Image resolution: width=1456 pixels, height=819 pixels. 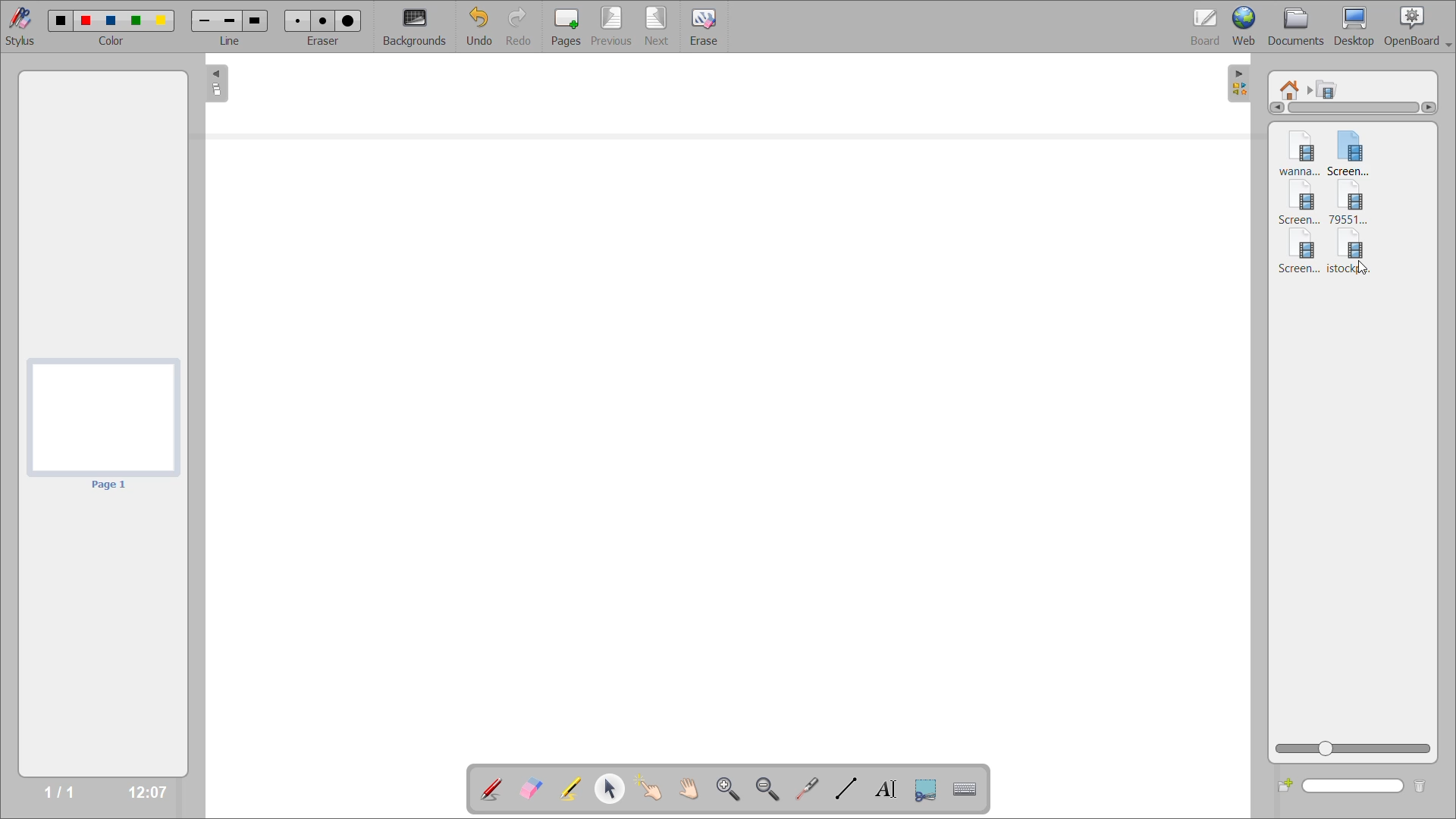 I want to click on create new folder, so click(x=1282, y=787).